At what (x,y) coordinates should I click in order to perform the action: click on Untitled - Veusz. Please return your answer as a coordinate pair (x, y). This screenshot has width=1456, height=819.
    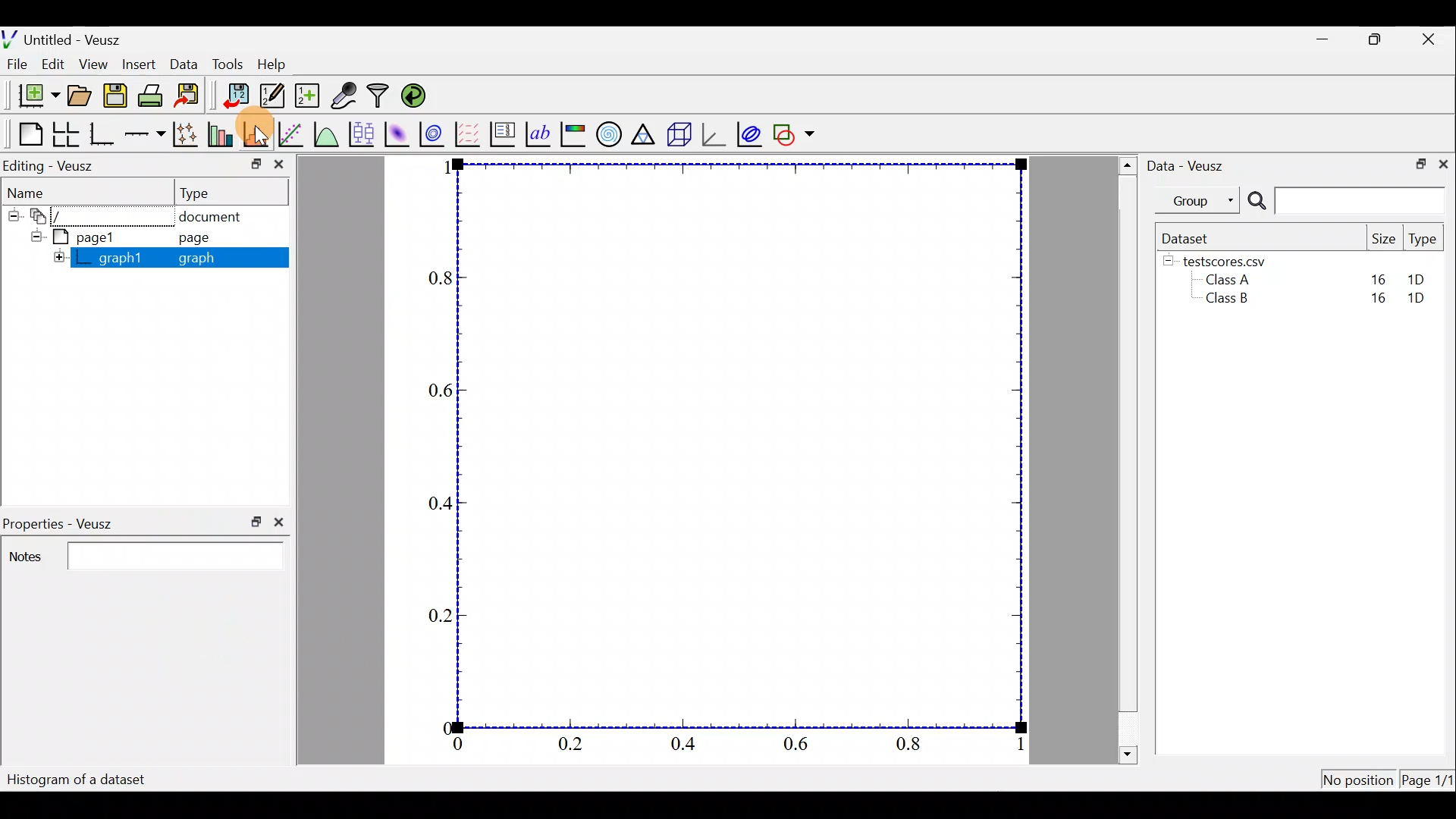
    Looking at the image, I should click on (67, 37).